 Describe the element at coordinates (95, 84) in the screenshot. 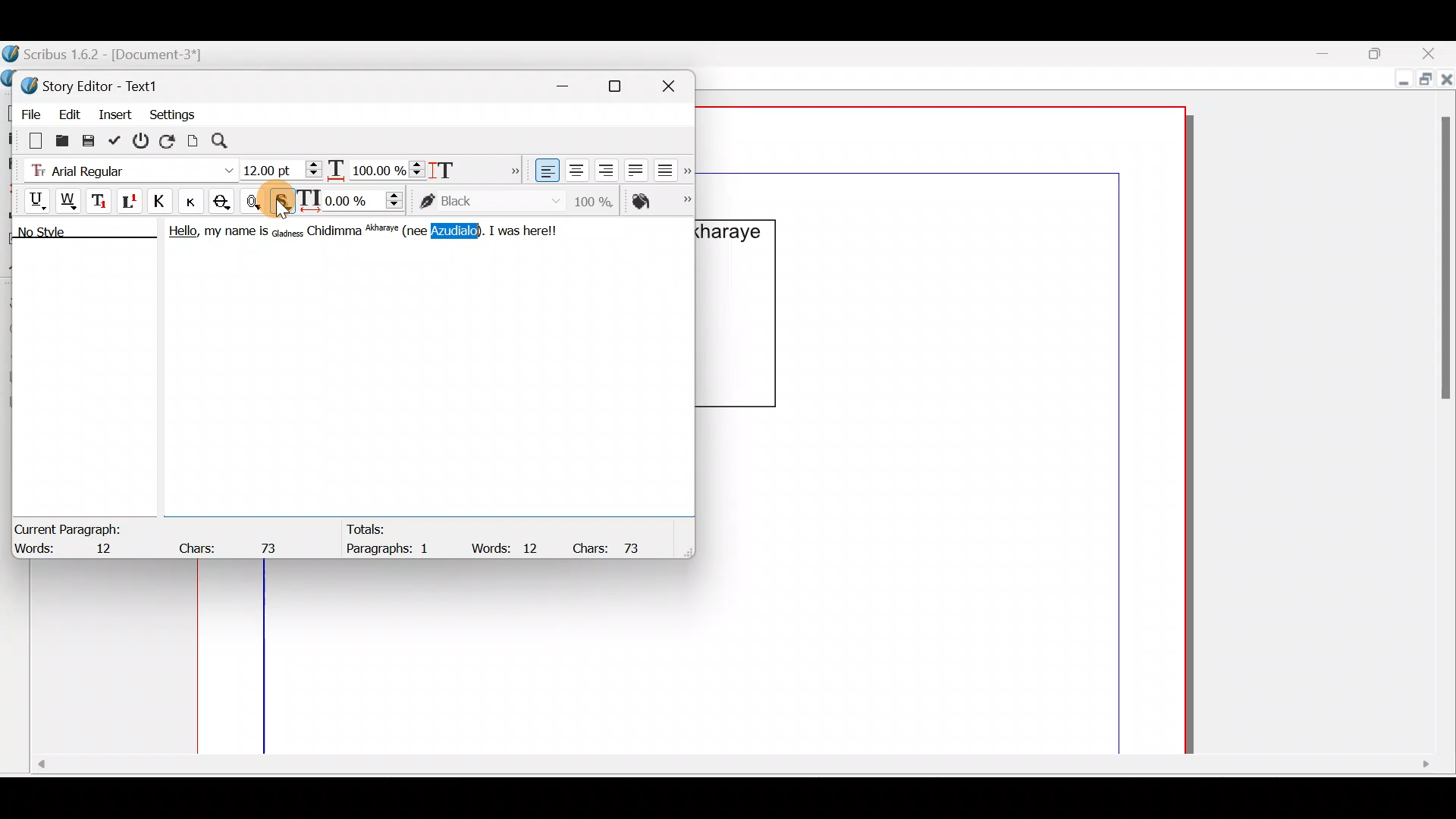

I see `Story Editor - Text1` at that location.